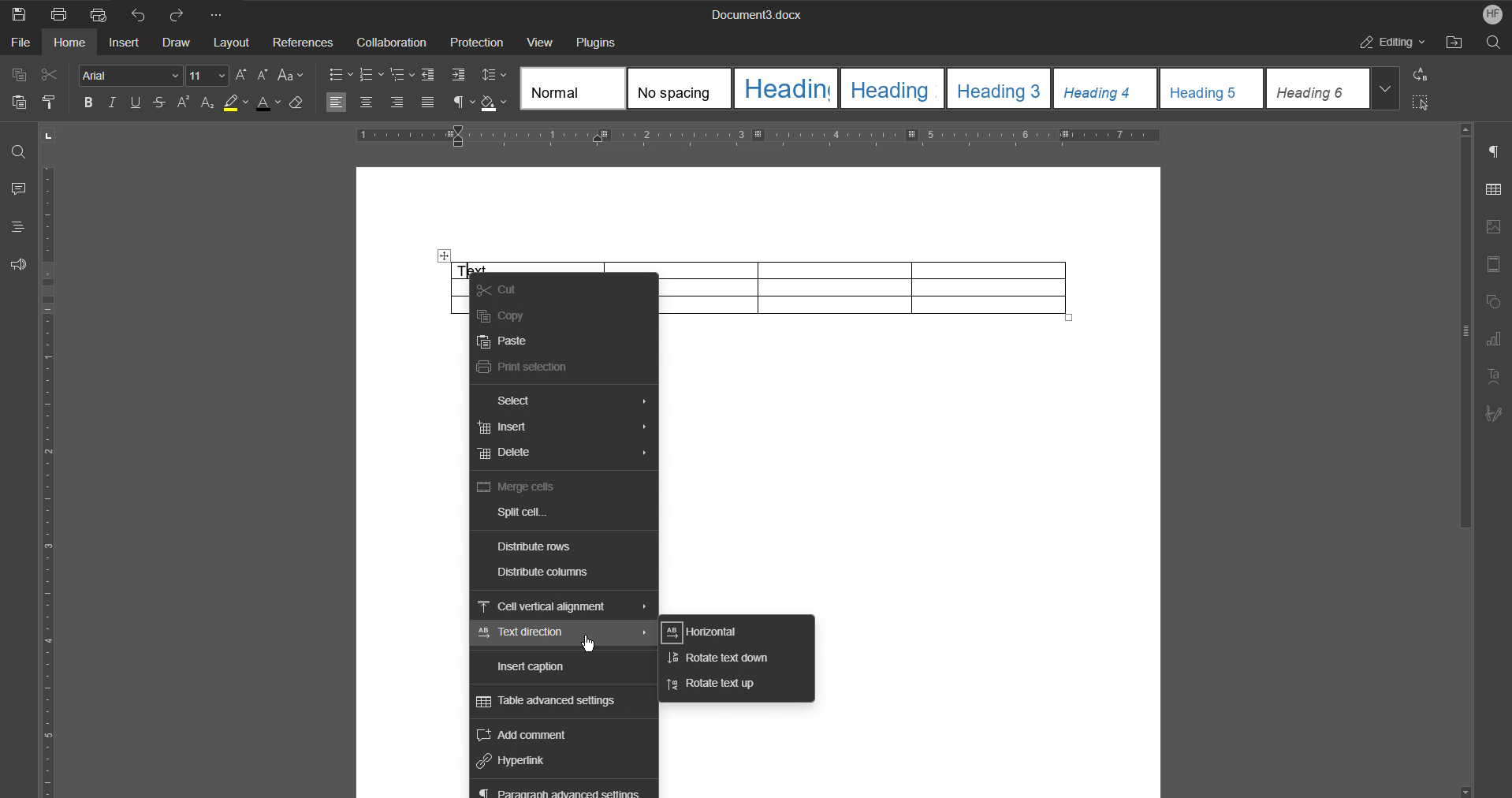  I want to click on Table advanced settings, so click(560, 703).